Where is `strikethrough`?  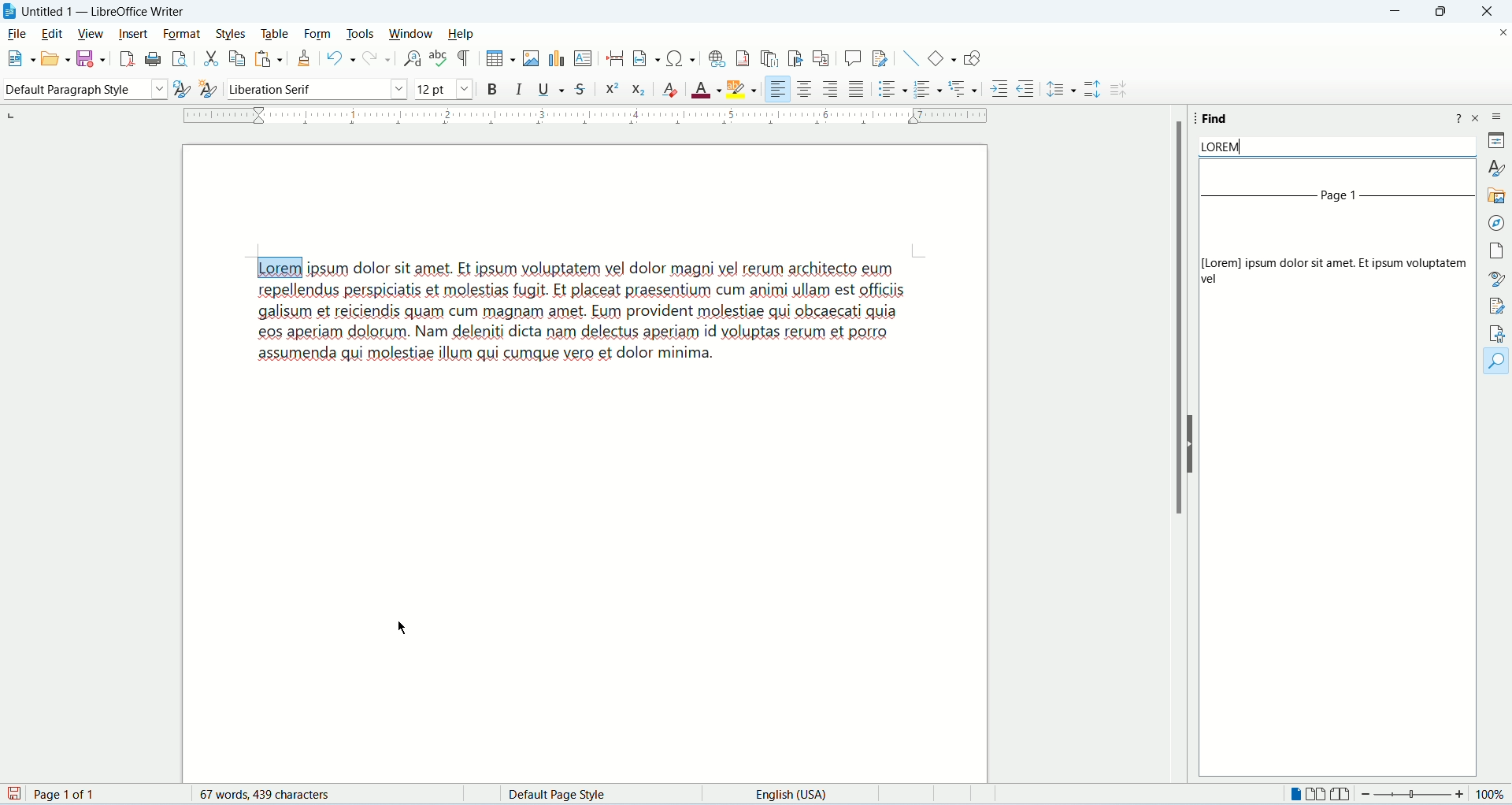
strikethrough is located at coordinates (581, 88).